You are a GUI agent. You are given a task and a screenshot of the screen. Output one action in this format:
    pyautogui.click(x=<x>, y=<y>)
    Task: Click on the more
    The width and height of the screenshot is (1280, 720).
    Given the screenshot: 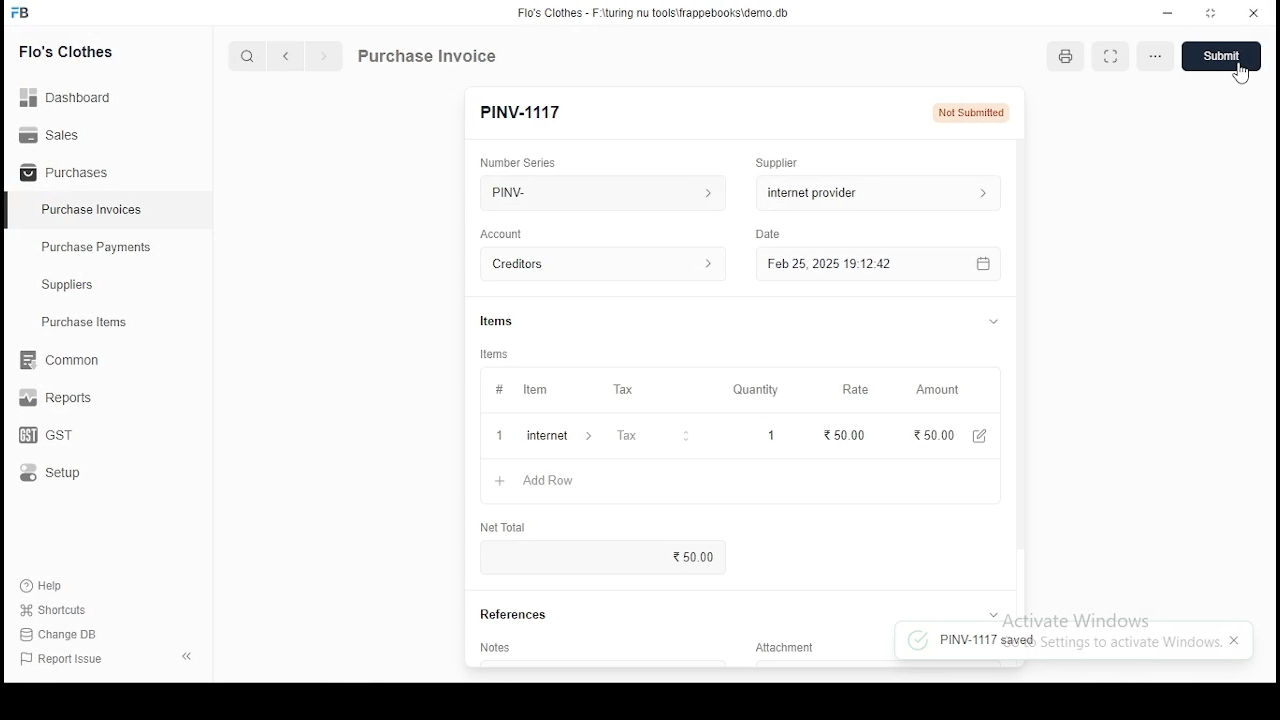 What is the action you would take?
    pyautogui.click(x=1153, y=56)
    